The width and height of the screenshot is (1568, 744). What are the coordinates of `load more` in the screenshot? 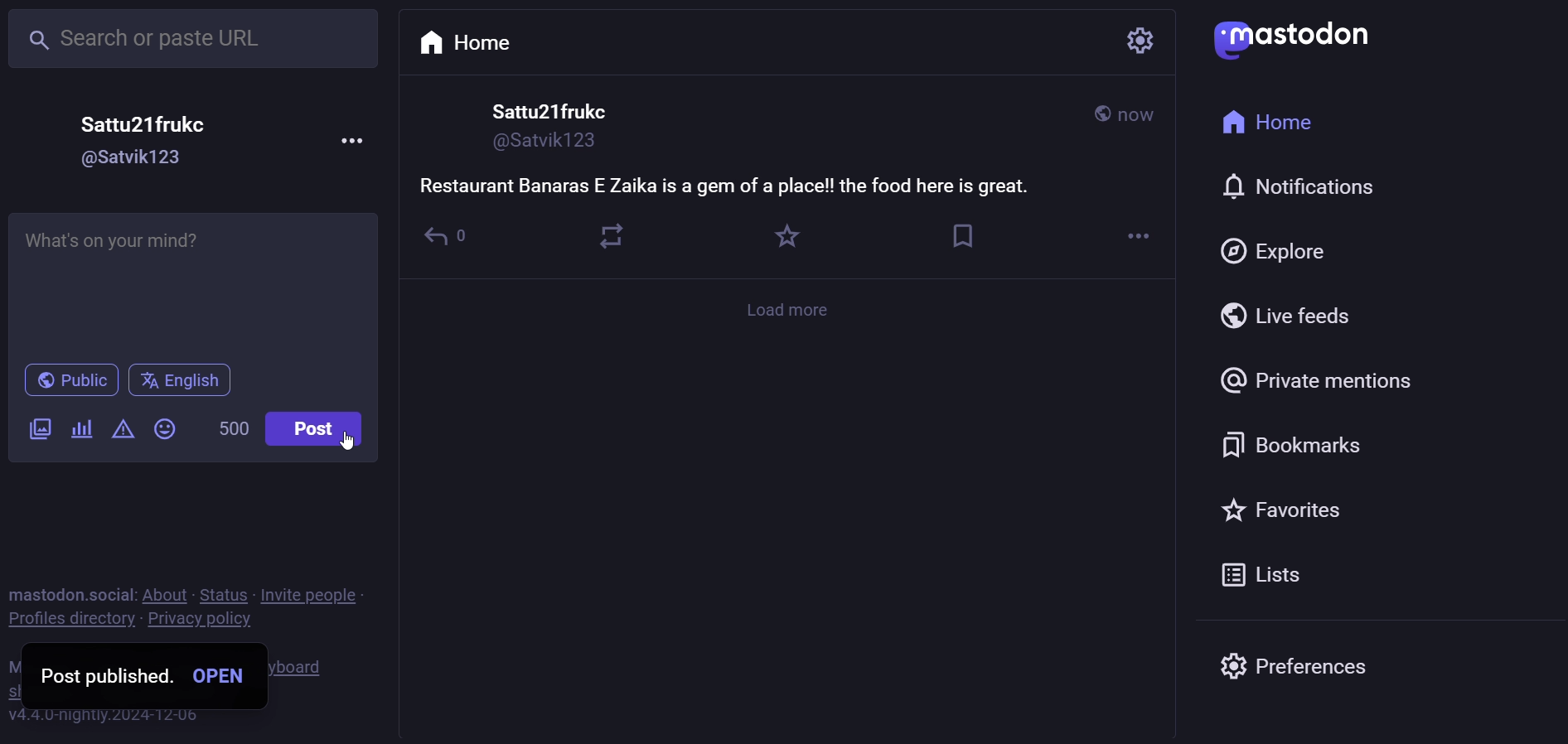 It's located at (792, 310).